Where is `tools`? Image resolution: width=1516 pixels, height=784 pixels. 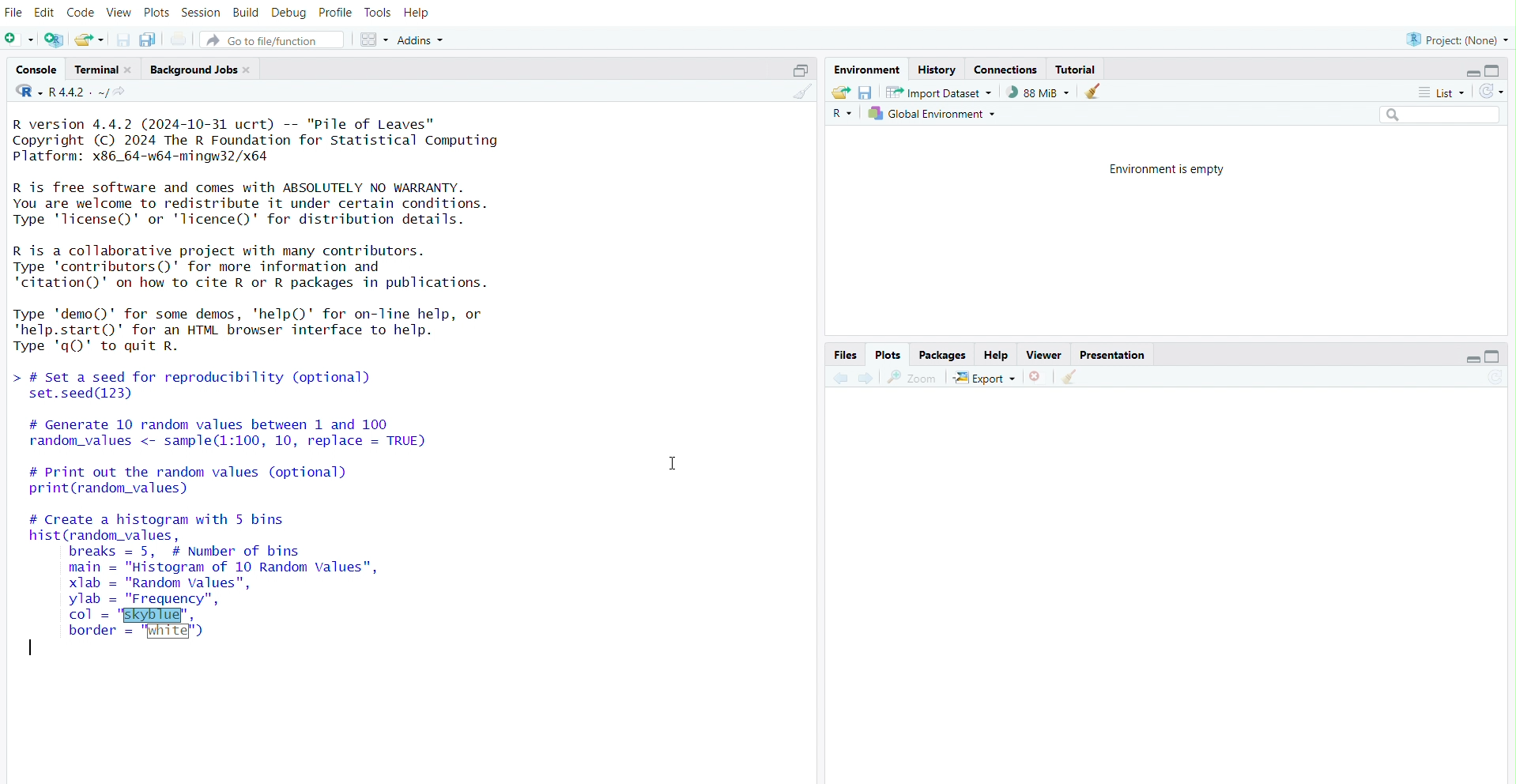
tools is located at coordinates (379, 10).